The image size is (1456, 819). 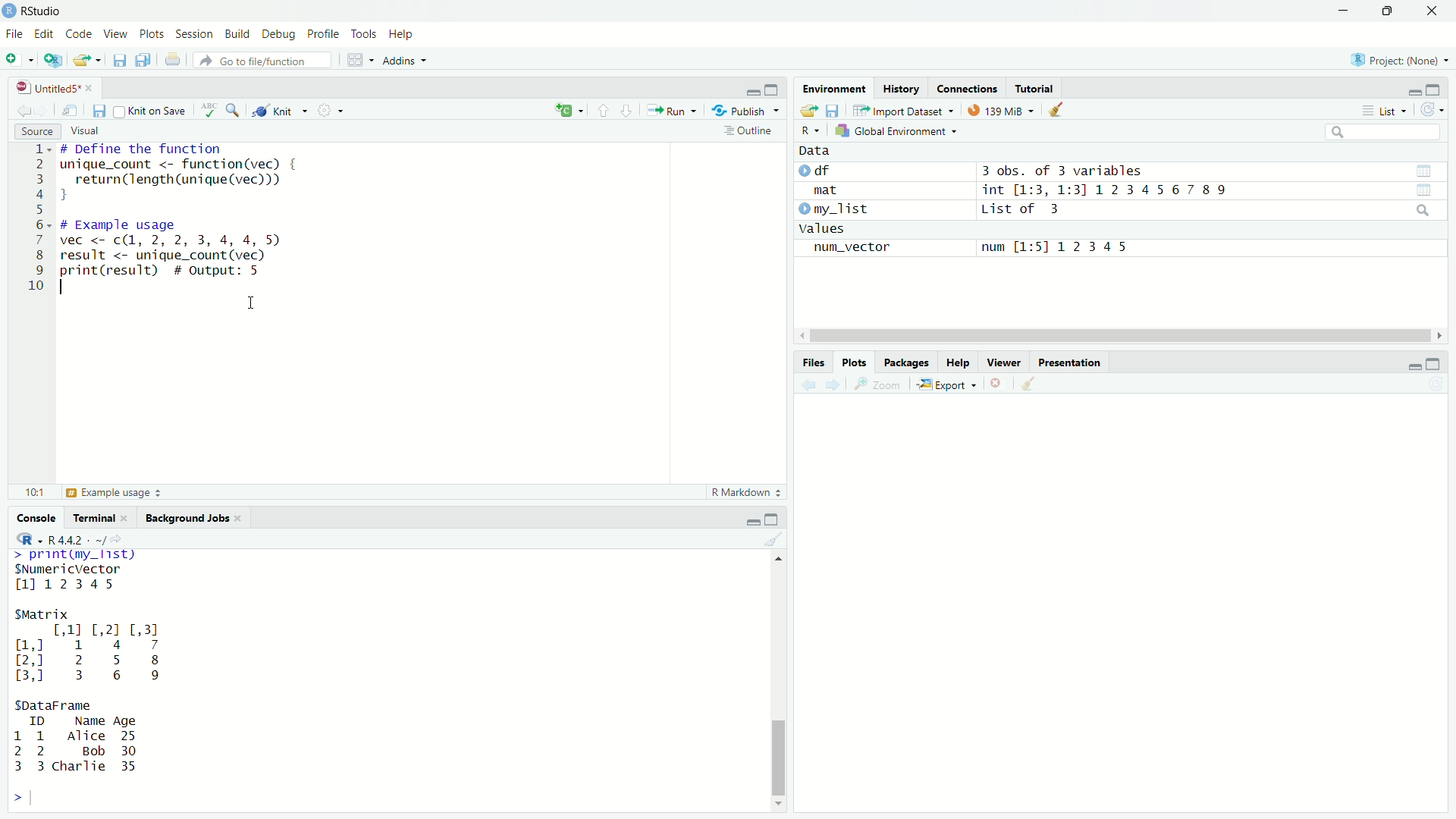 What do you see at coordinates (1000, 111) in the screenshot?
I see `139Mib` at bounding box center [1000, 111].